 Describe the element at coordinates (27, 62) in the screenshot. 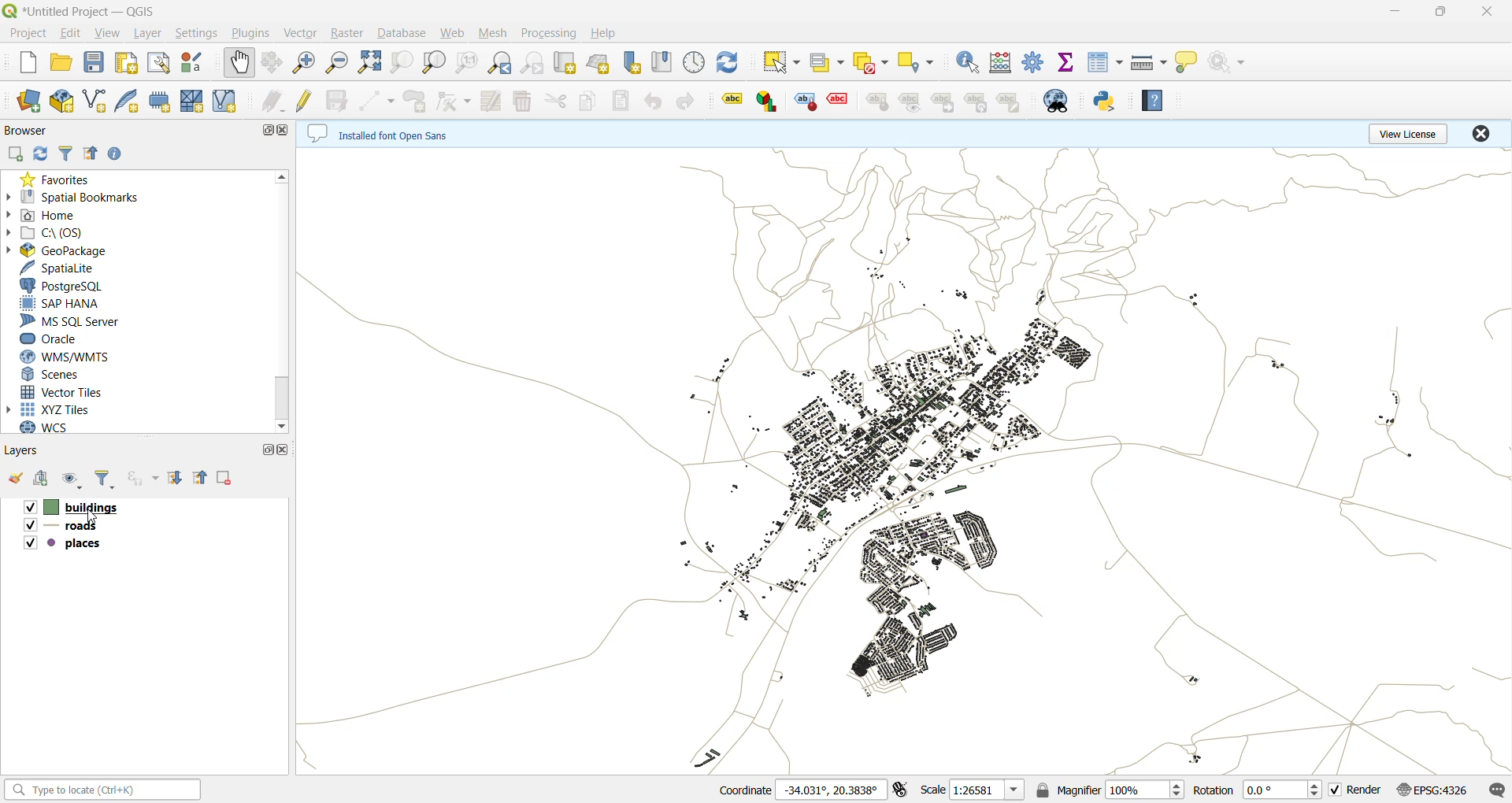

I see `new` at that location.